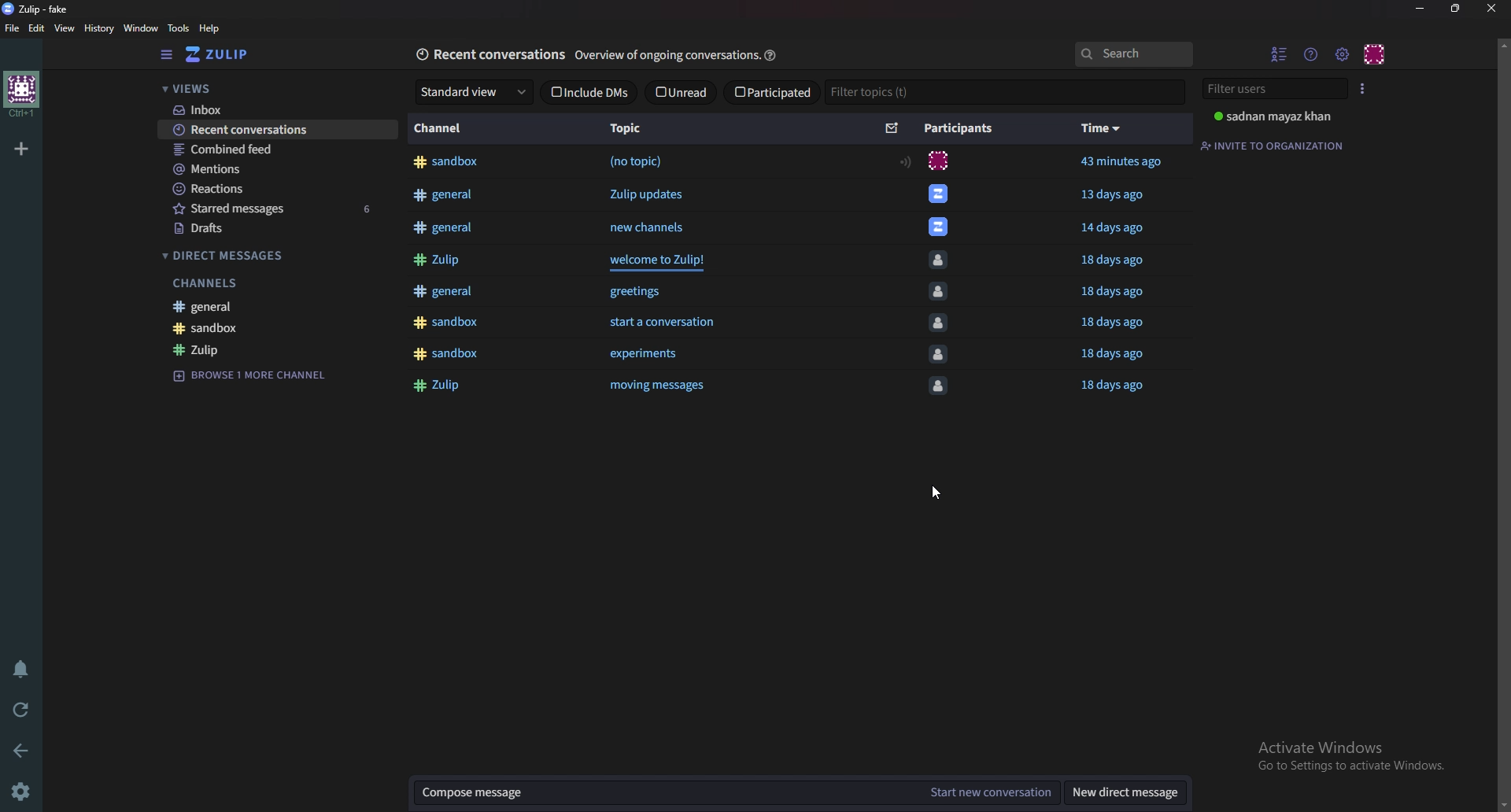  I want to click on Mentions, so click(276, 168).